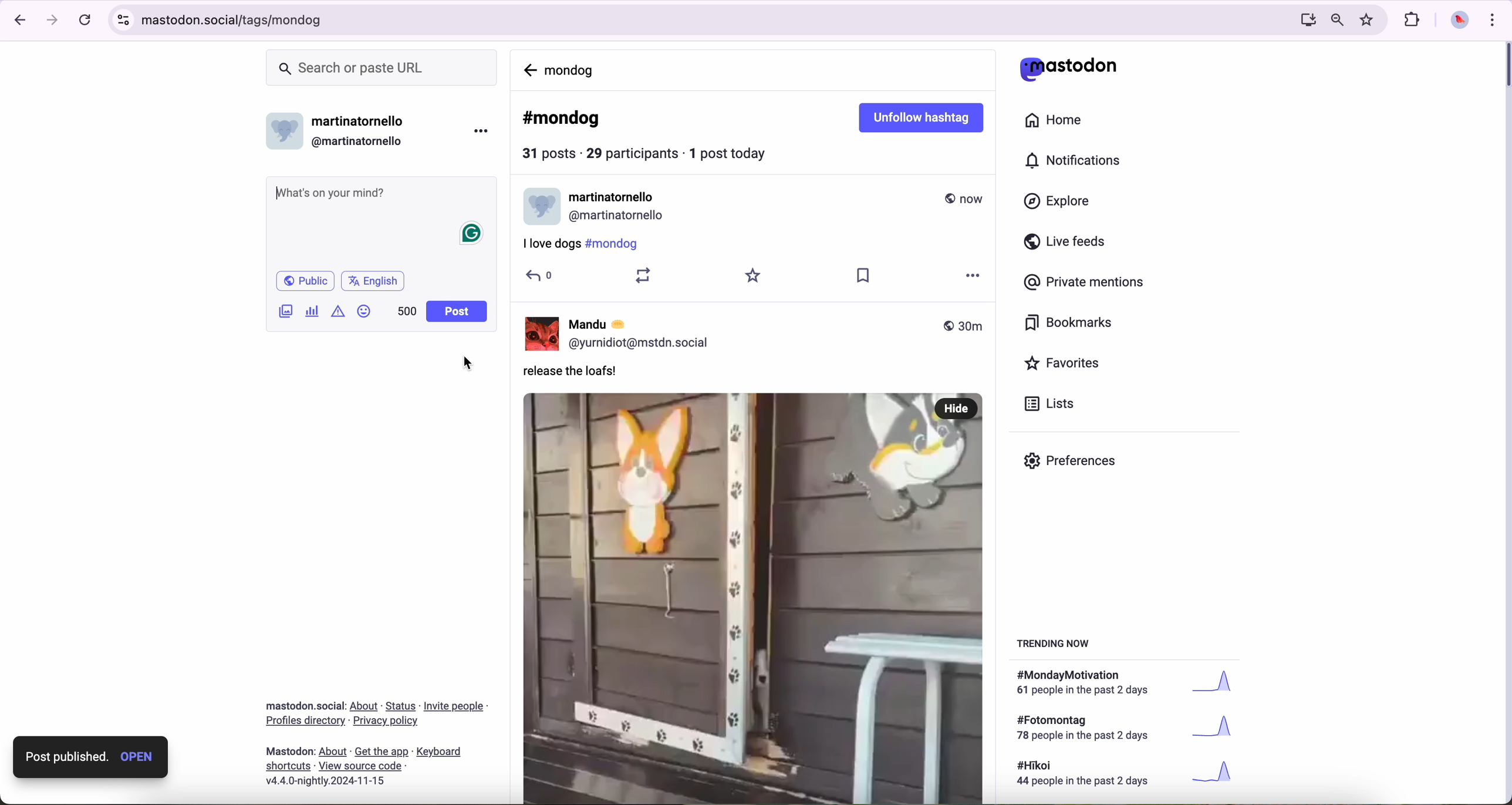  Describe the element at coordinates (575, 247) in the screenshot. I see `release the loafs!` at that location.